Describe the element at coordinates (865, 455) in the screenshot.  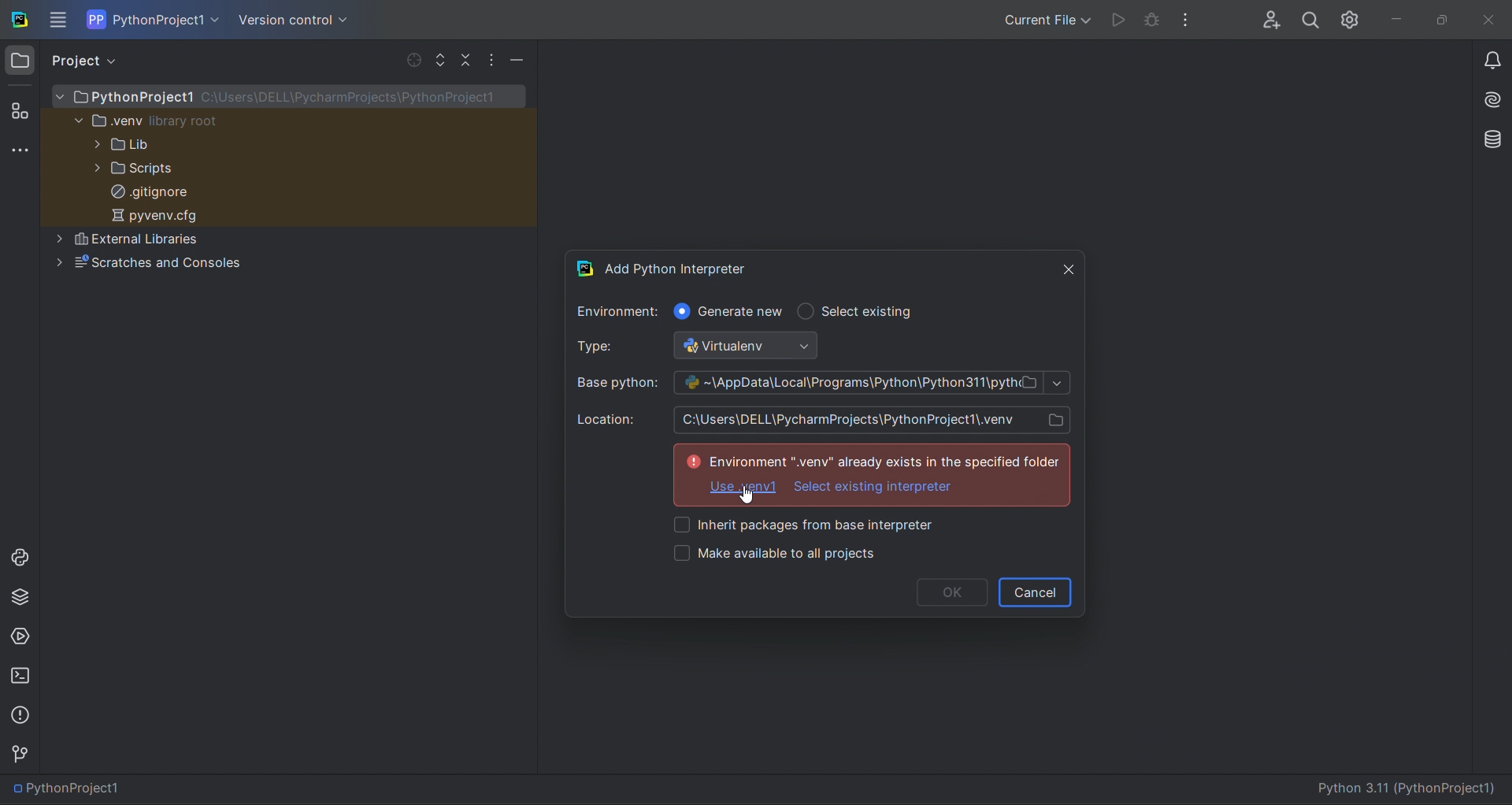
I see `Environment "venv" already exists in the specified folder` at that location.